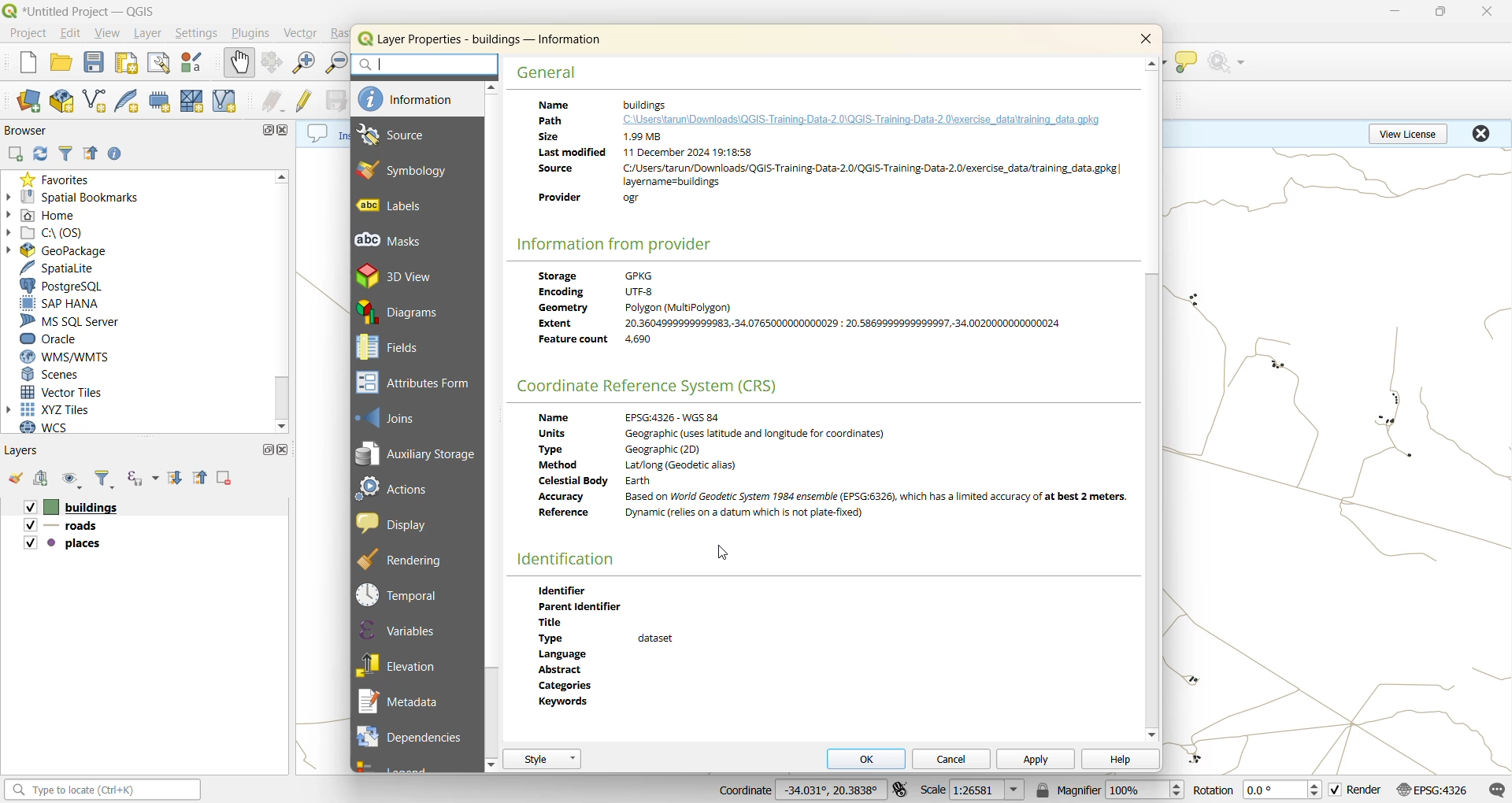 Image resolution: width=1512 pixels, height=803 pixels. I want to click on rendering, so click(406, 559).